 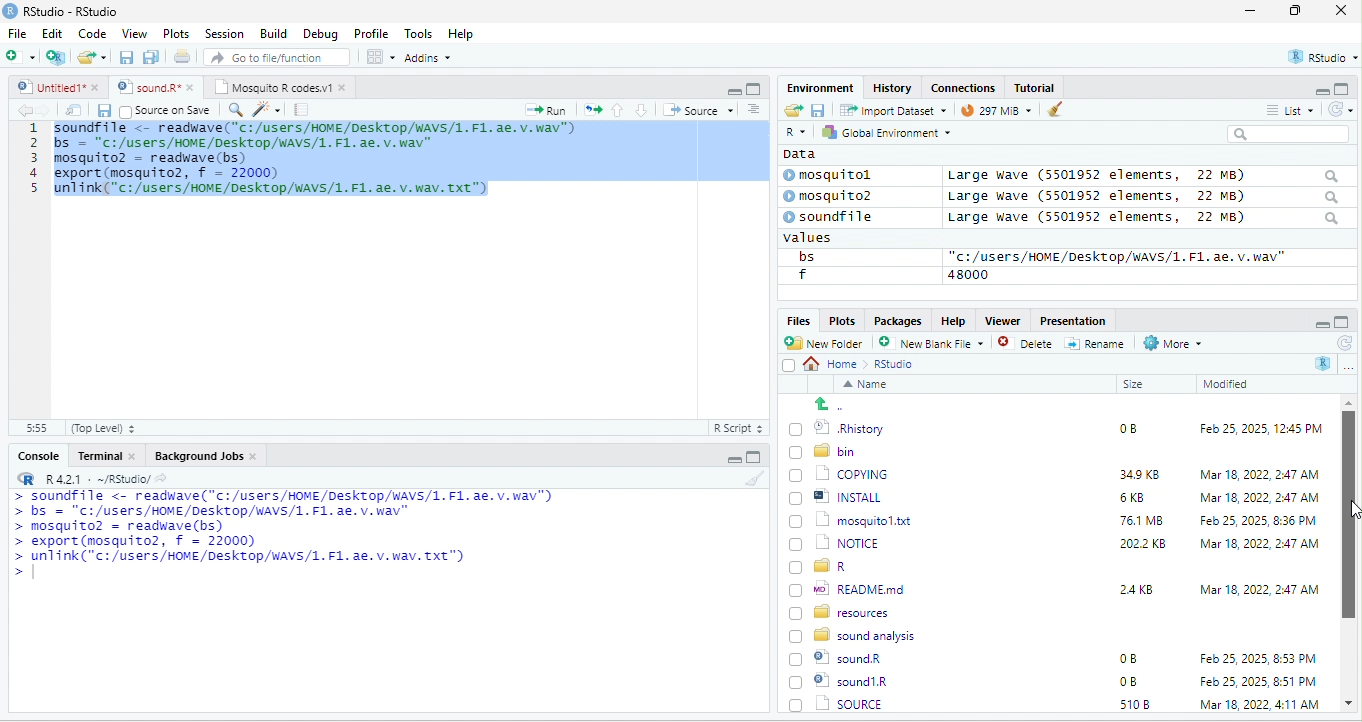 I want to click on Presentation, so click(x=1071, y=320).